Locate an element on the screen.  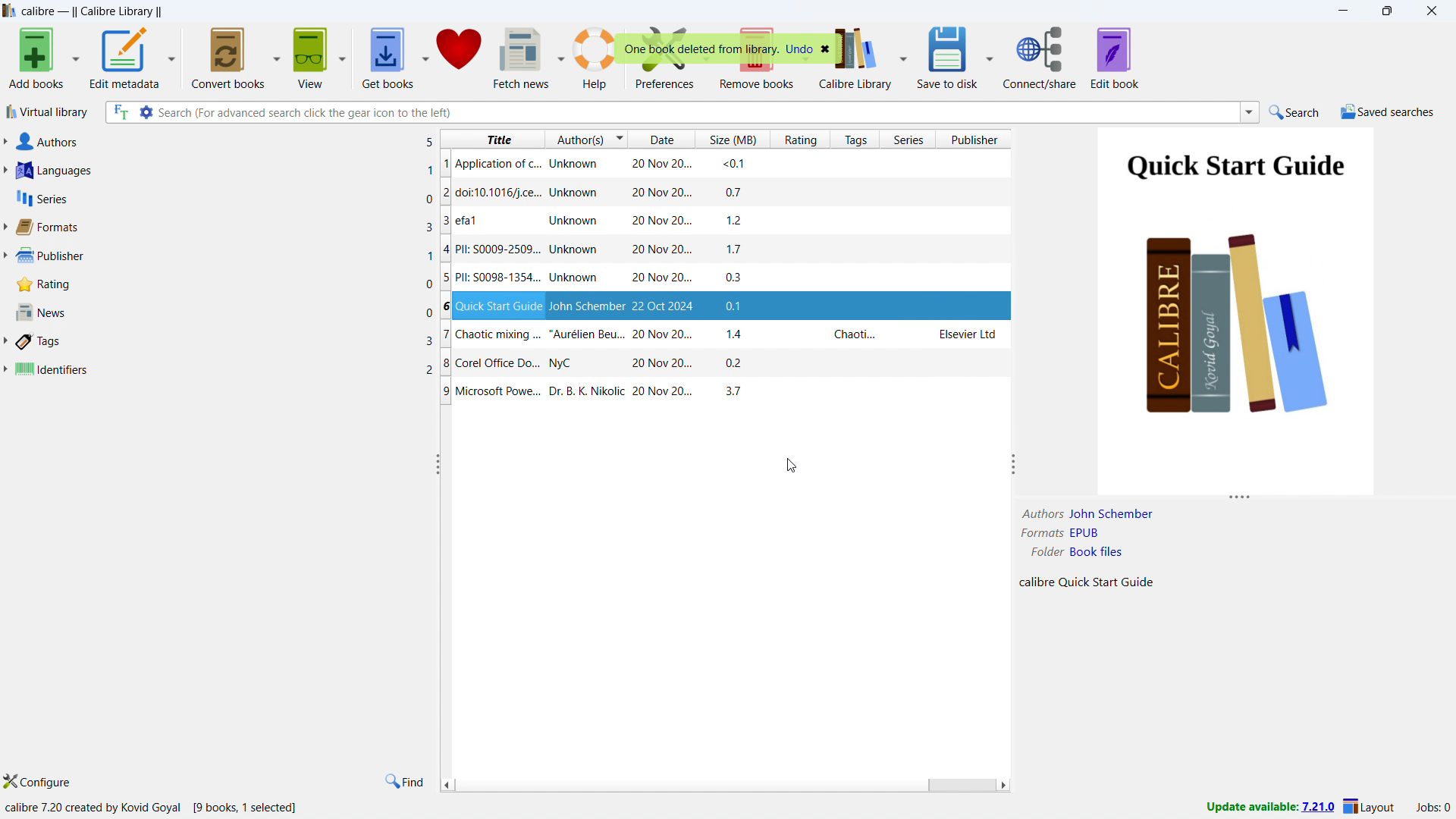
Calibre Quick Start Guide is located at coordinates (1087, 583).